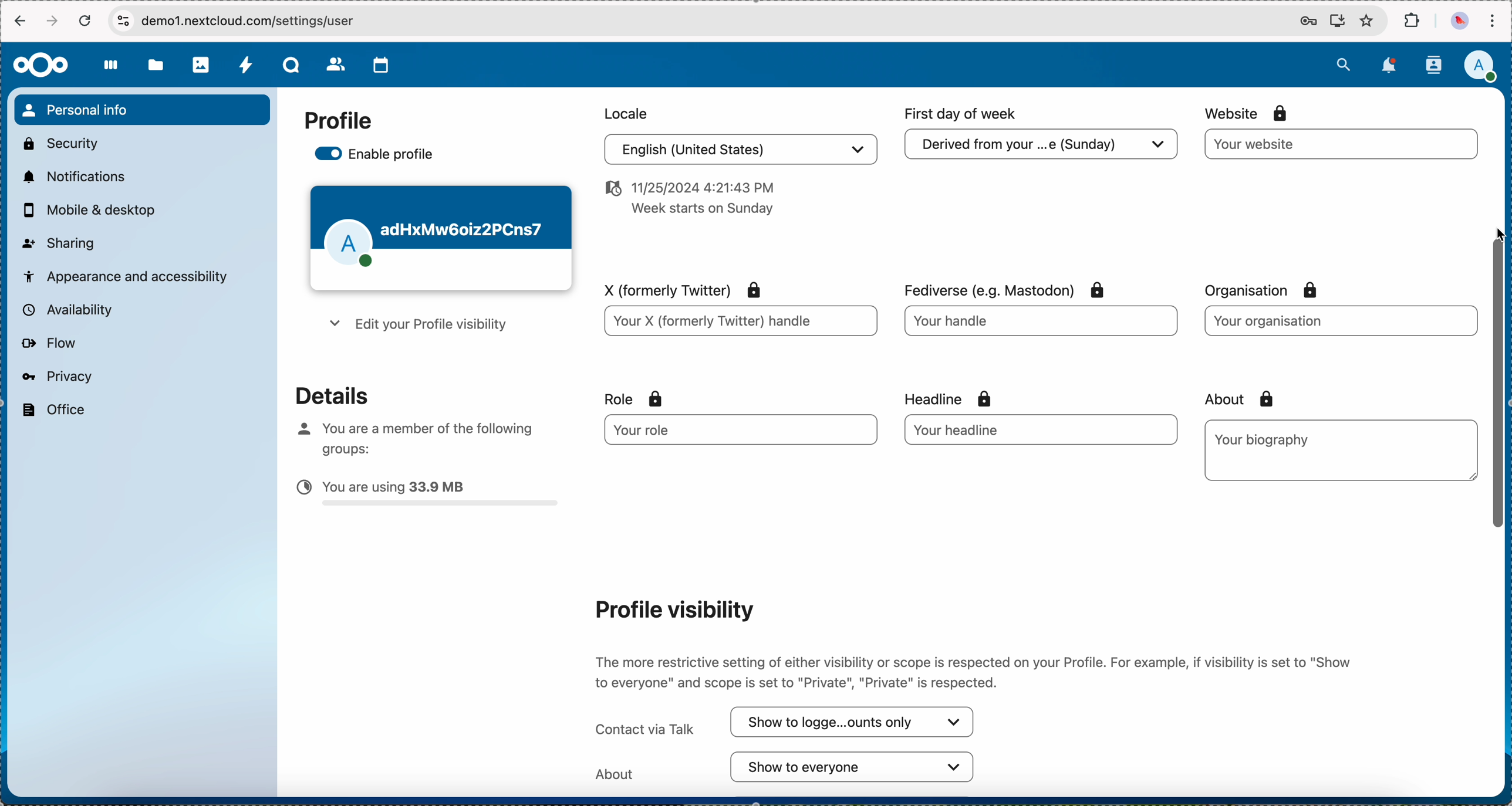 The image size is (1512, 806). What do you see at coordinates (1305, 22) in the screenshot?
I see `passwords` at bounding box center [1305, 22].